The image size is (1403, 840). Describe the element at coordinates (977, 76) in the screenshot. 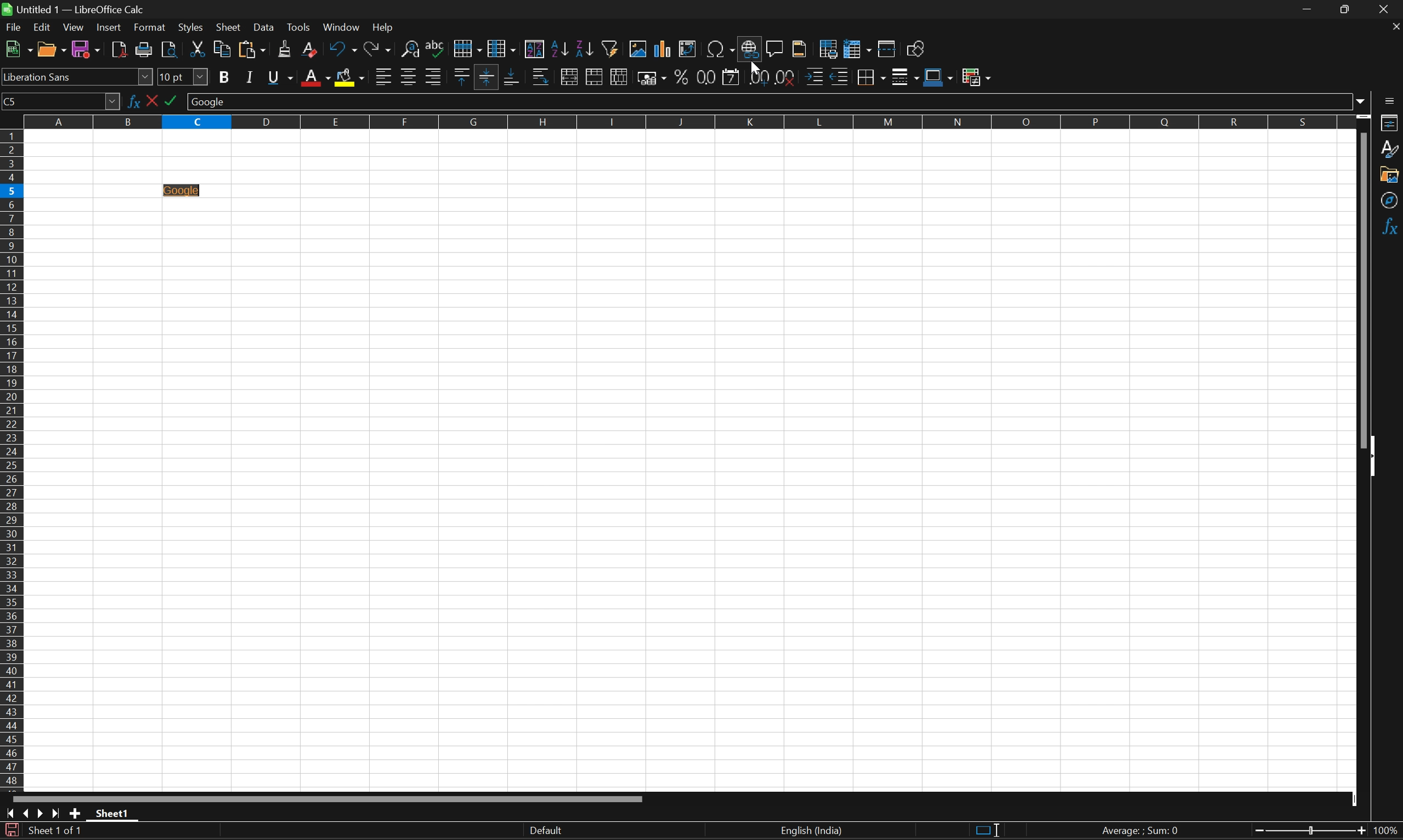

I see `Conditional` at that location.